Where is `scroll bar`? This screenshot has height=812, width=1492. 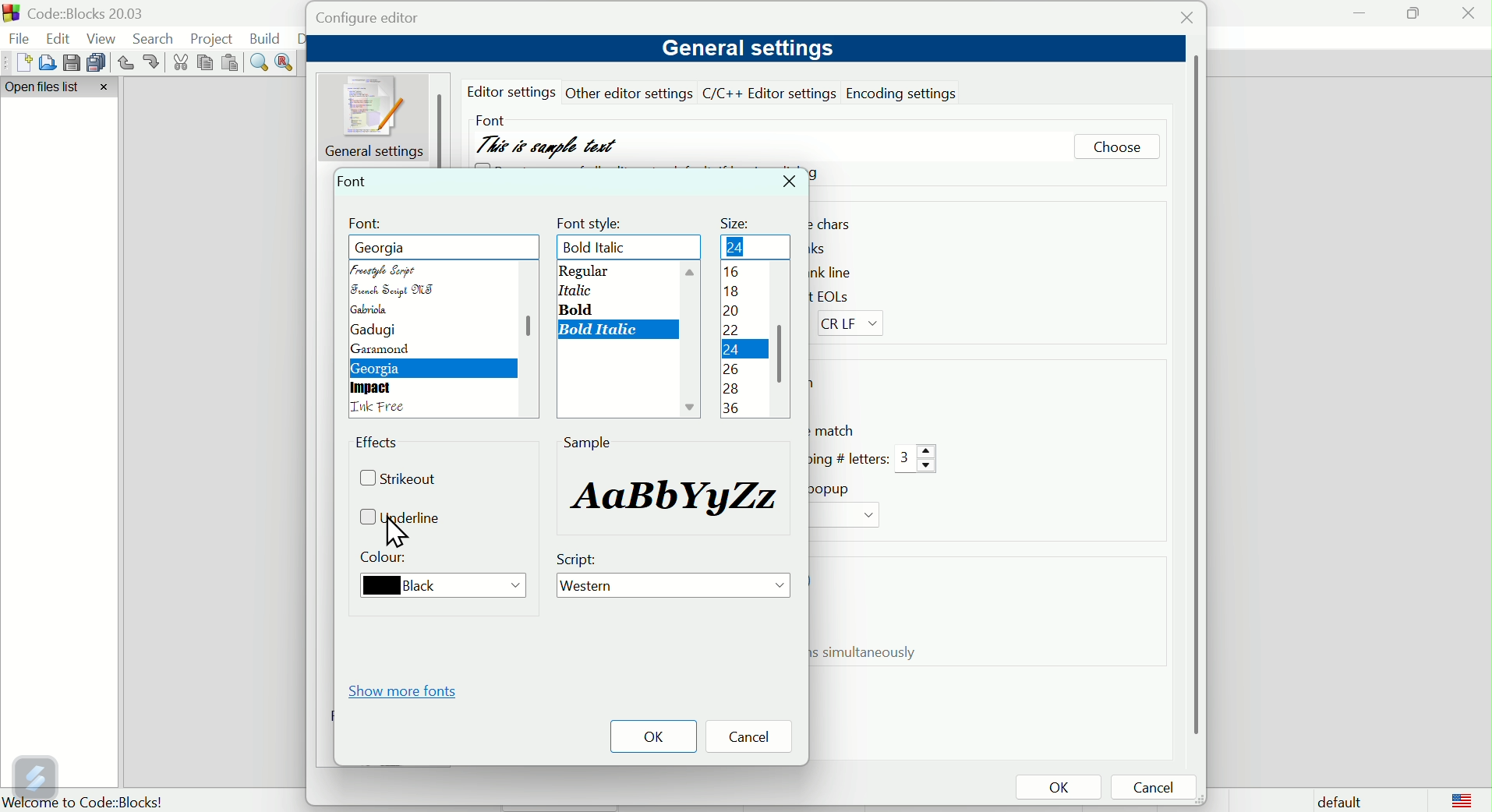
scroll bar is located at coordinates (783, 344).